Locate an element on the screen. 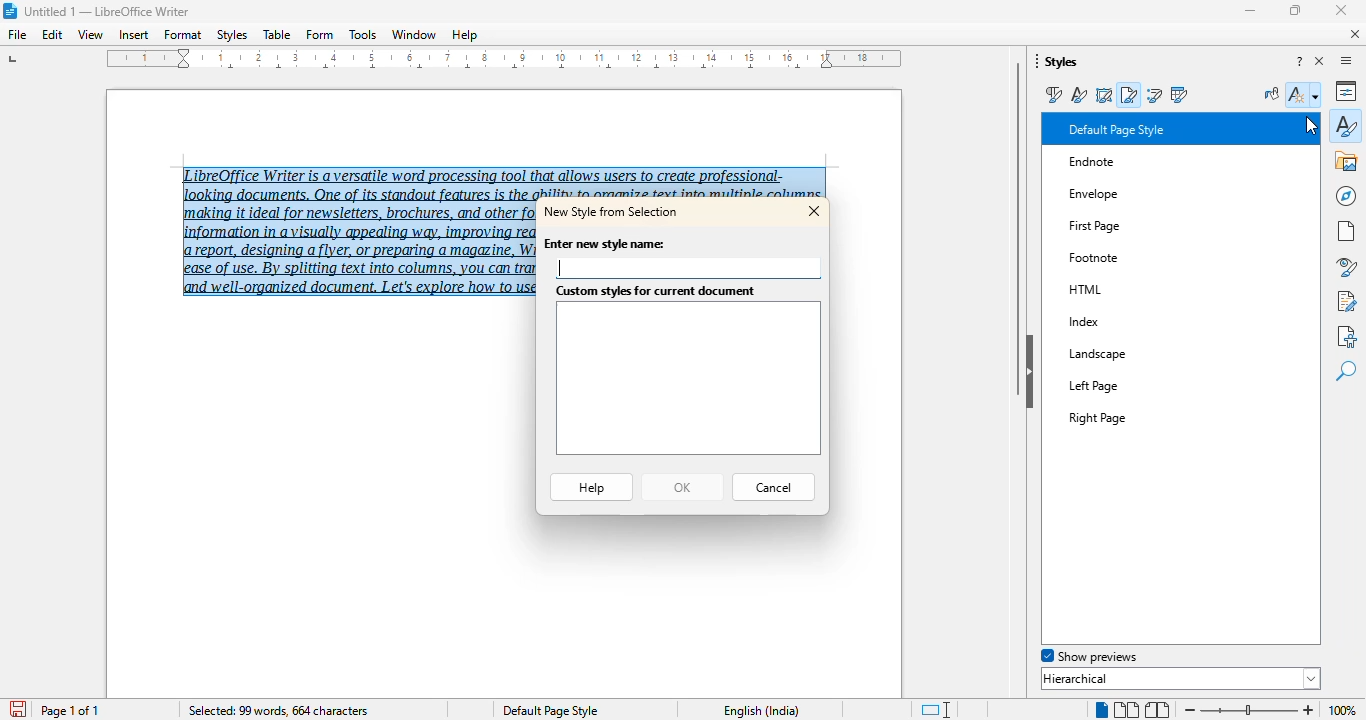  typing is located at coordinates (561, 268).